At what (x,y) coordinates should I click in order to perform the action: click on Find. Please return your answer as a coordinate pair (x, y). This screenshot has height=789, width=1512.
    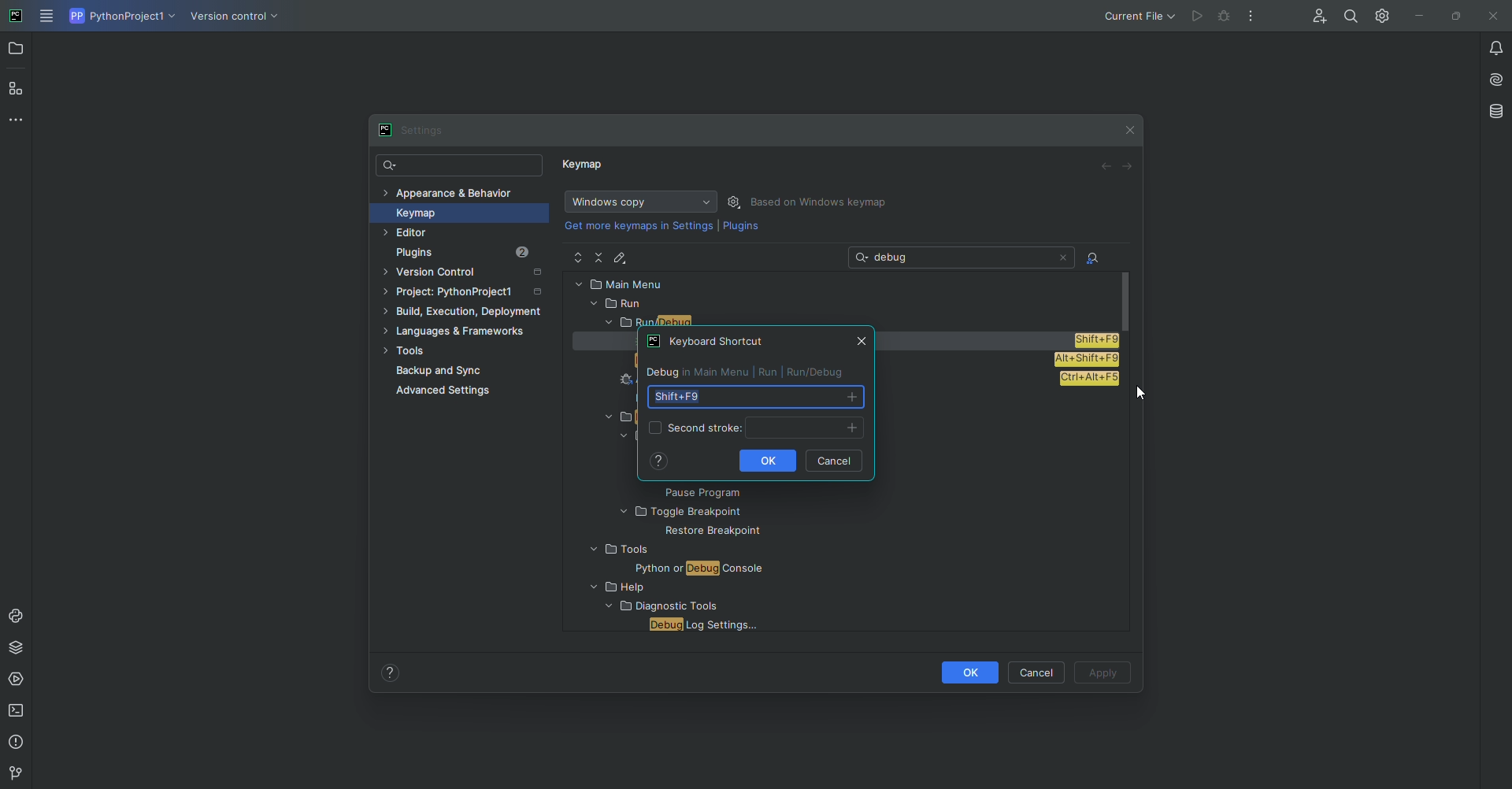
    Looking at the image, I should click on (1351, 16).